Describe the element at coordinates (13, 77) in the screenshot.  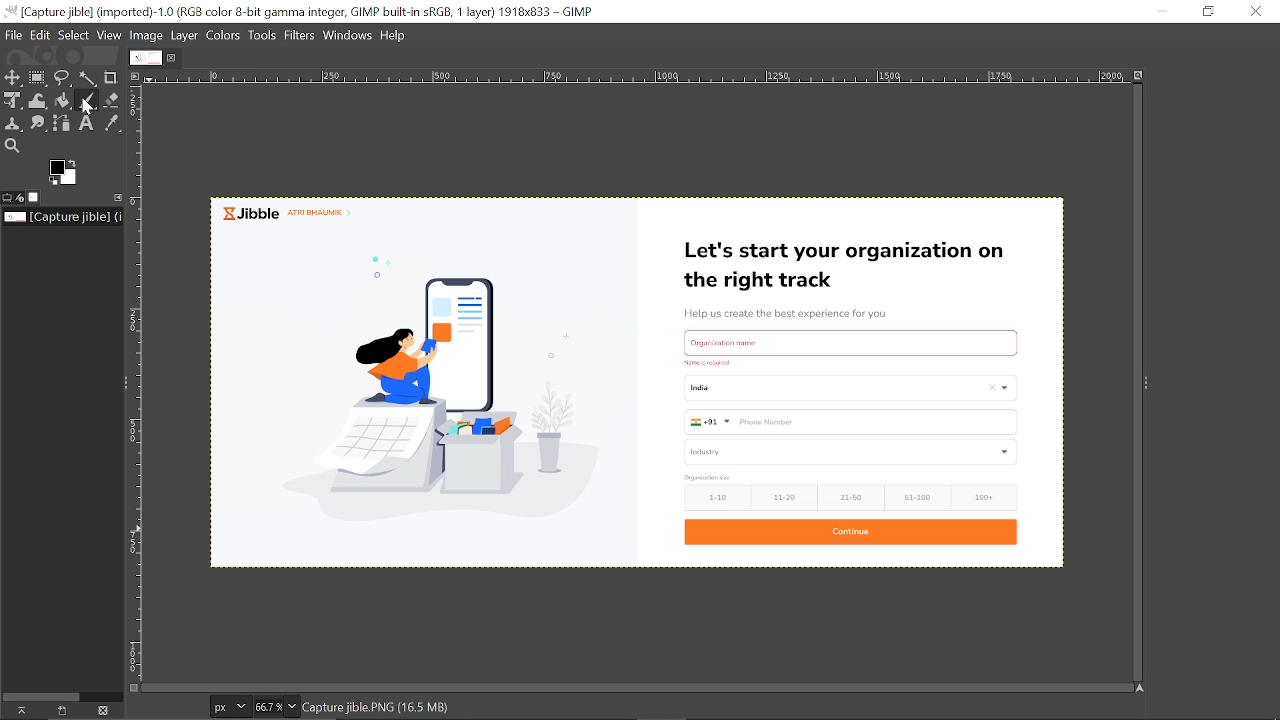
I see `Move tool` at that location.